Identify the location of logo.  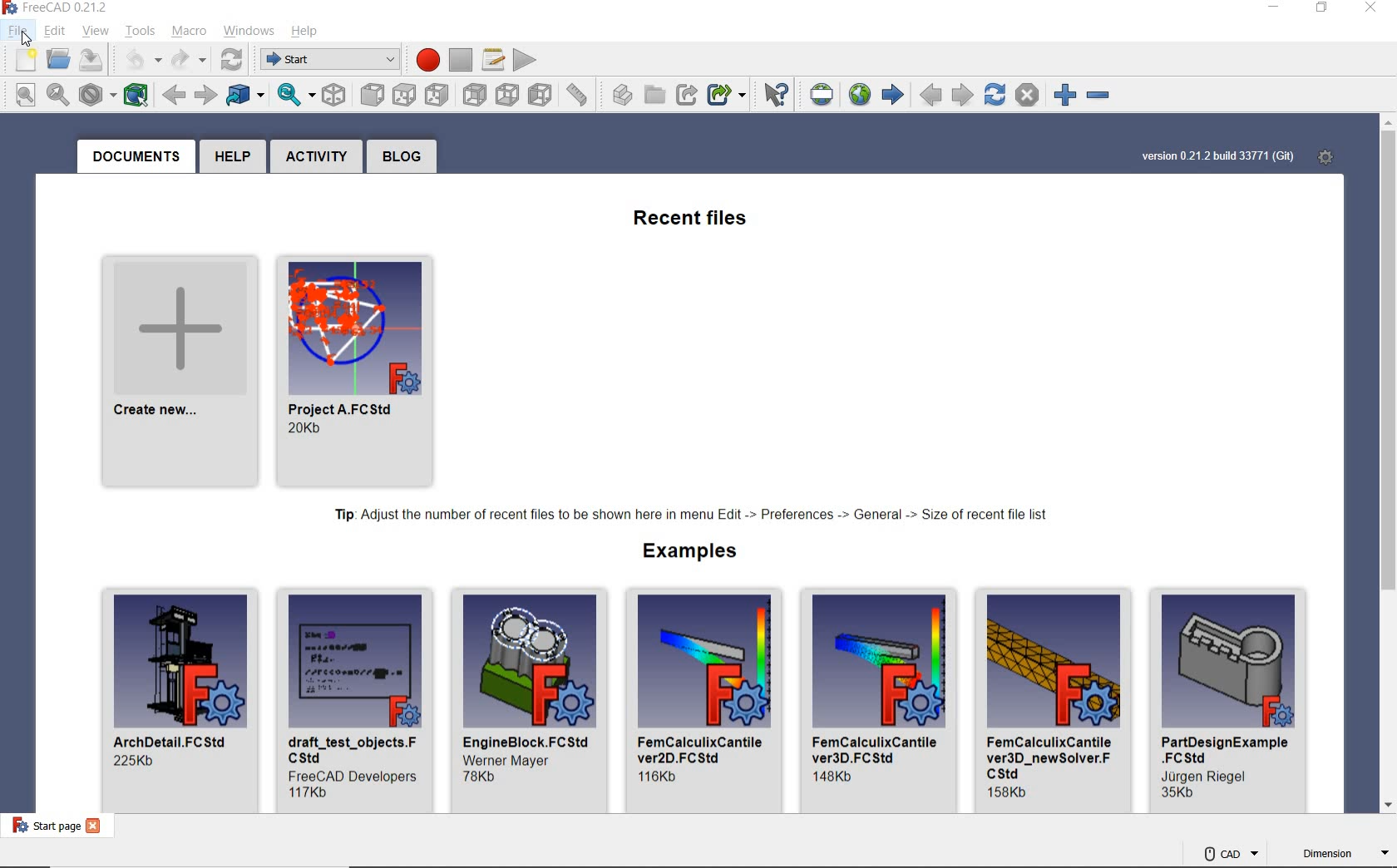
(12, 7).